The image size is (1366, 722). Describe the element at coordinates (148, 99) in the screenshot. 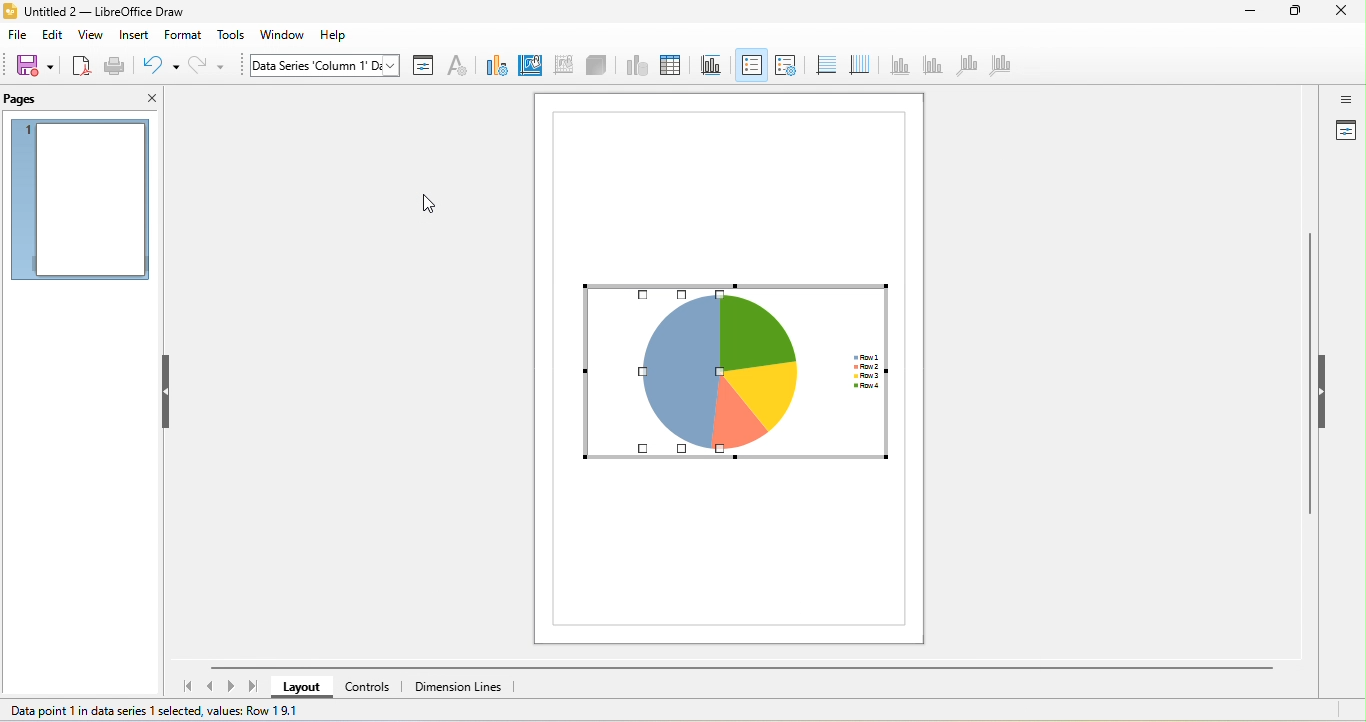

I see `close` at that location.